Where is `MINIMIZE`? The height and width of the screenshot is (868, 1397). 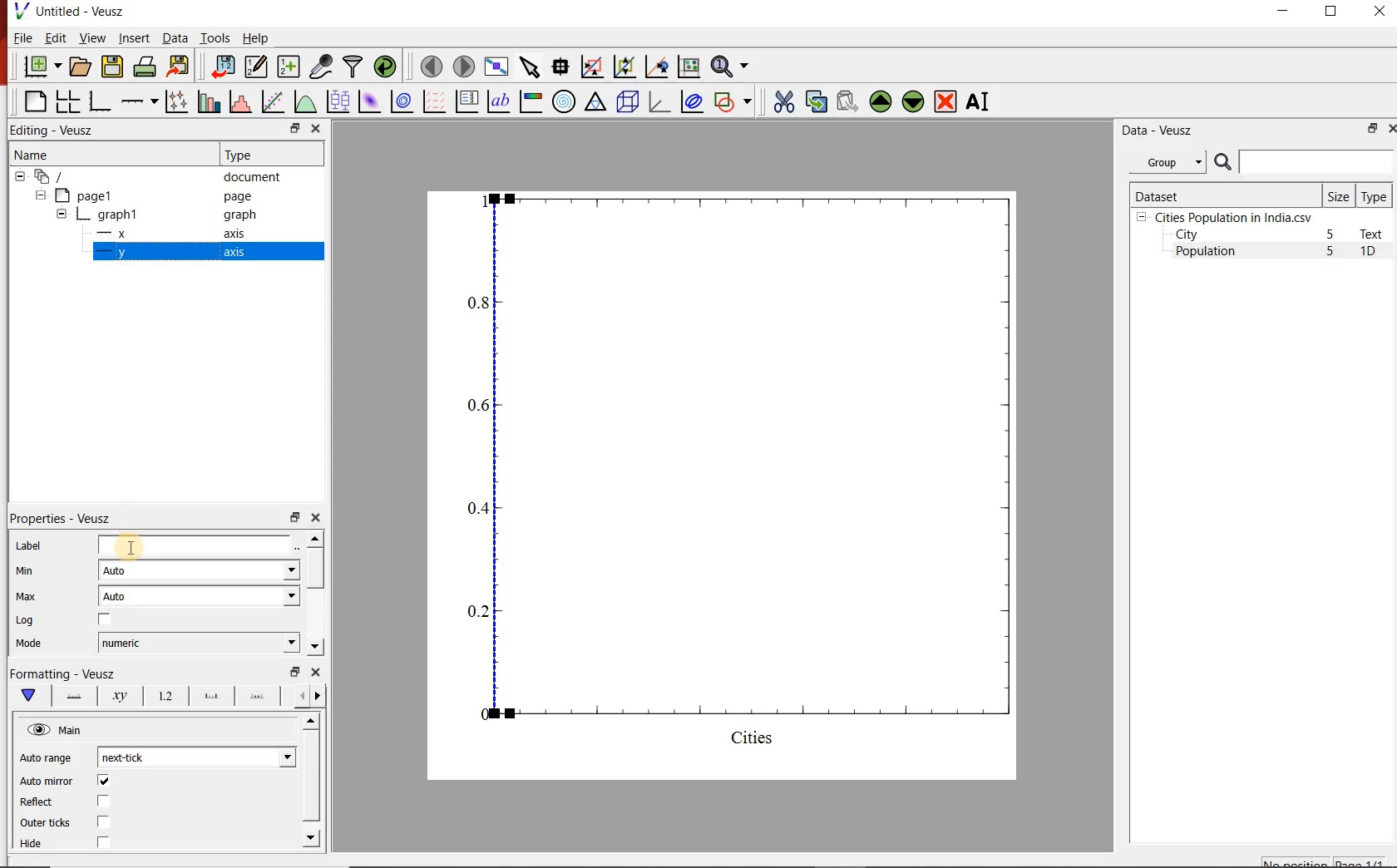 MINIMIZE is located at coordinates (1284, 11).